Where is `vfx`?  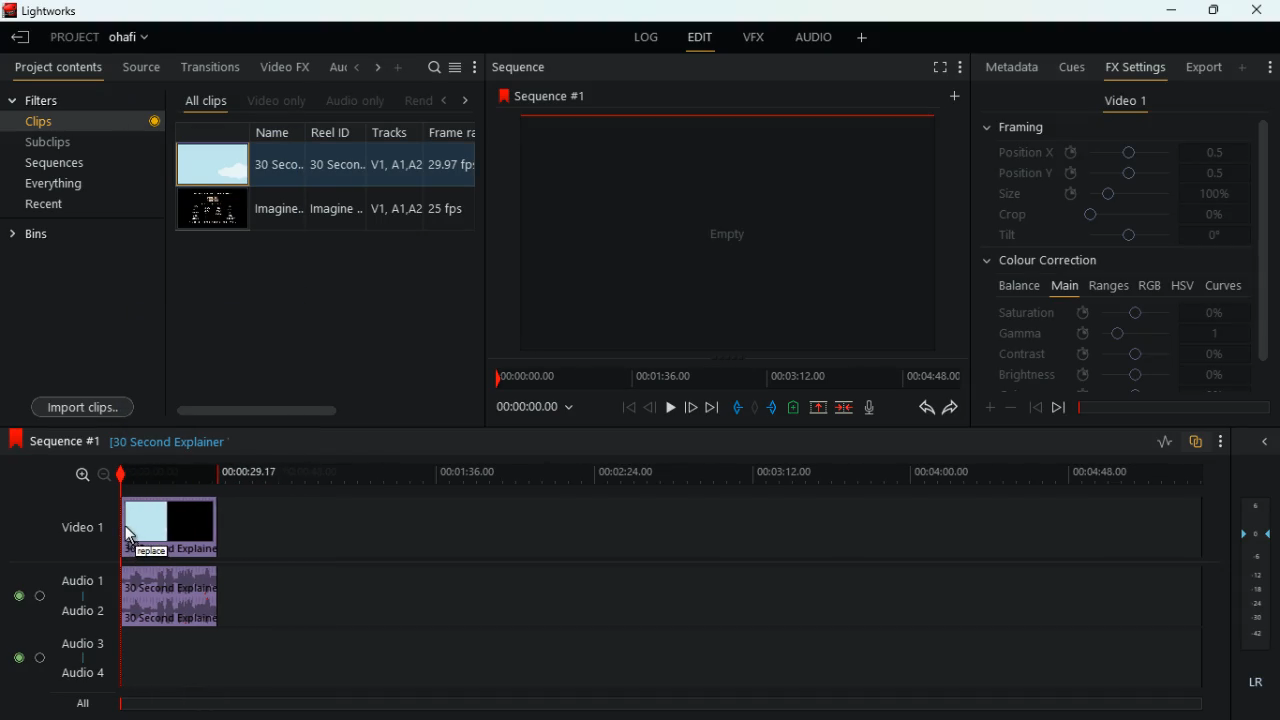
vfx is located at coordinates (750, 38).